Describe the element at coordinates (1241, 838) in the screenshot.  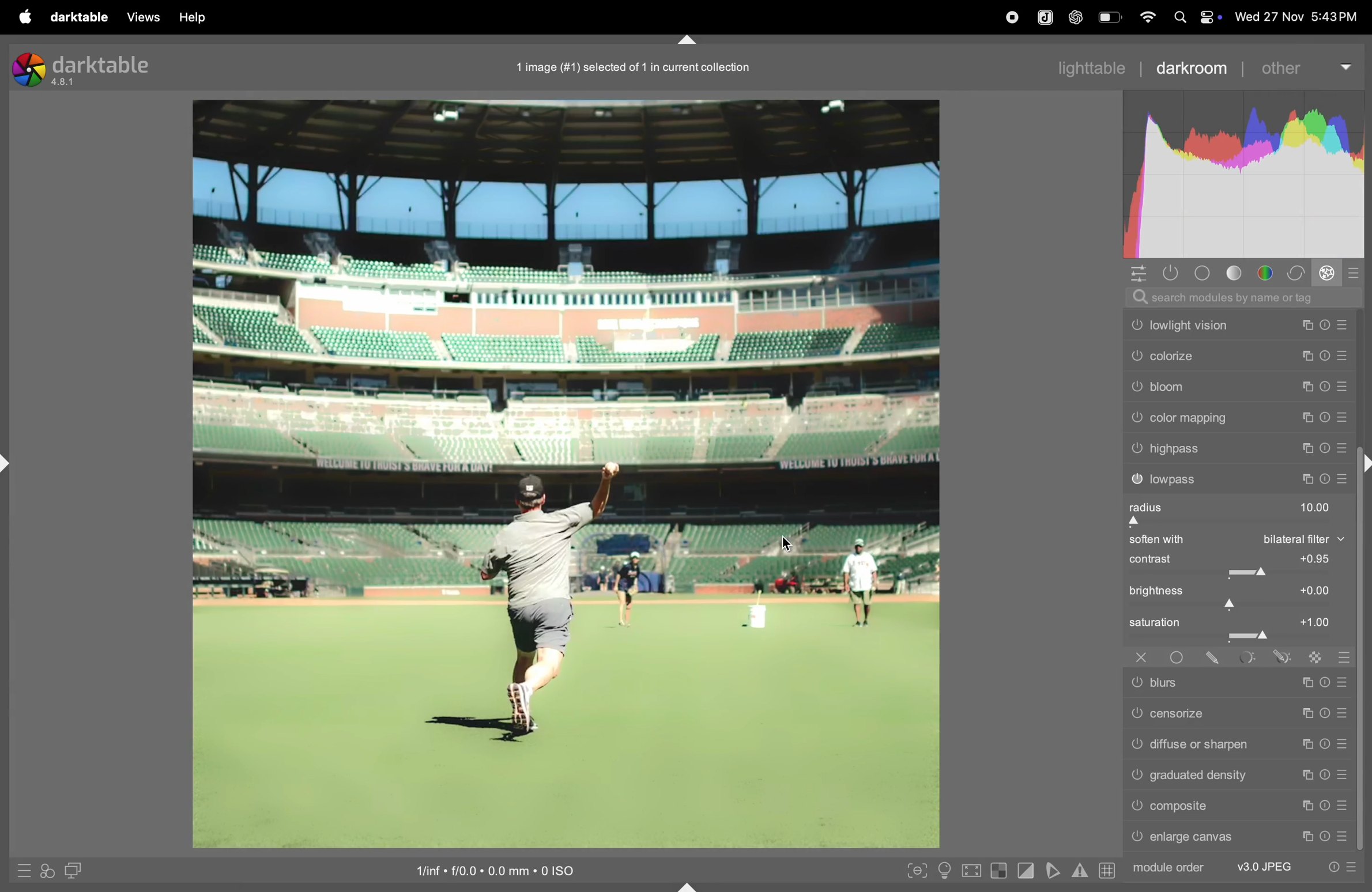
I see `enlarge canvas` at that location.